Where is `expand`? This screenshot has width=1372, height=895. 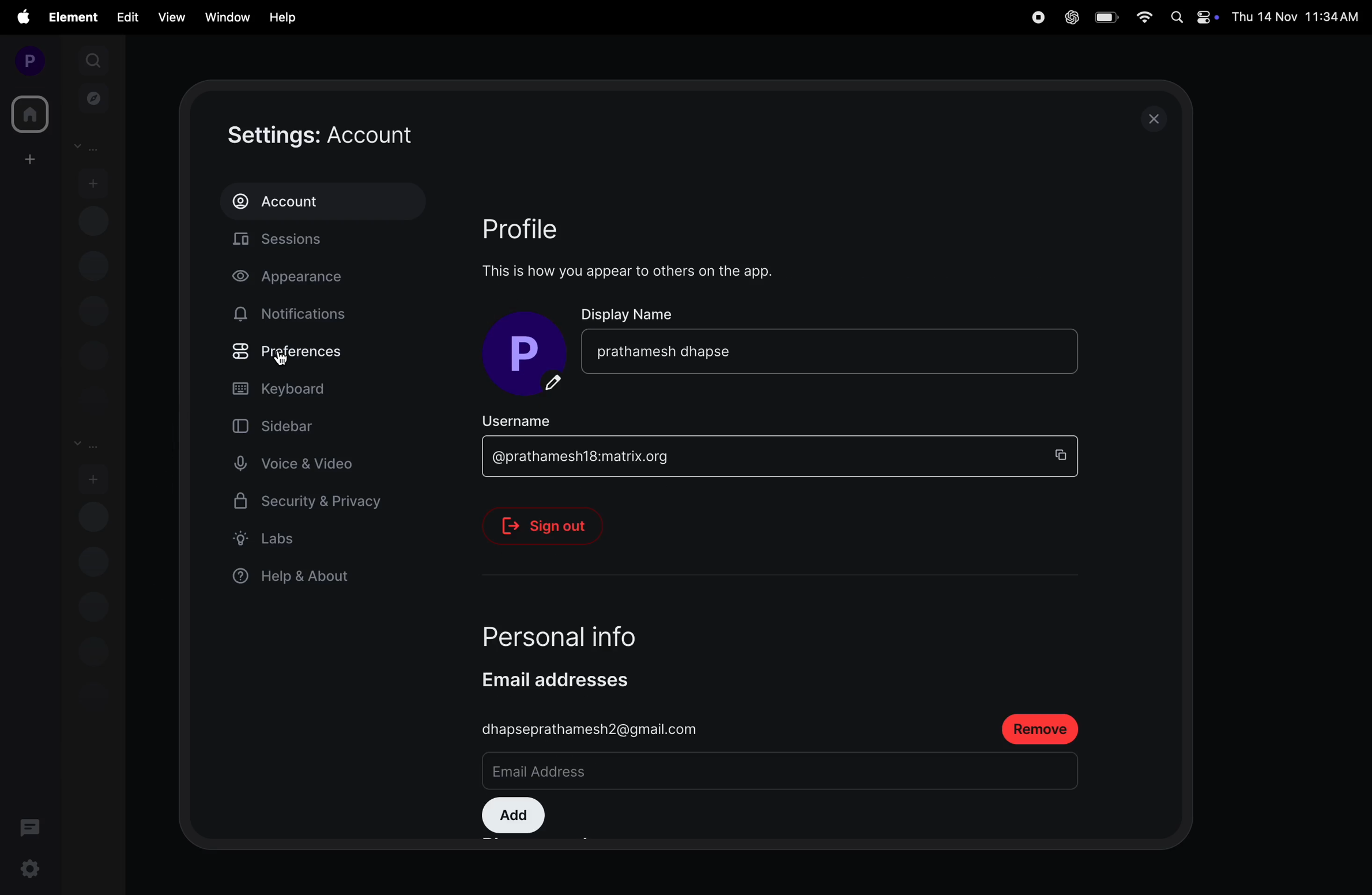 expand is located at coordinates (61, 61).